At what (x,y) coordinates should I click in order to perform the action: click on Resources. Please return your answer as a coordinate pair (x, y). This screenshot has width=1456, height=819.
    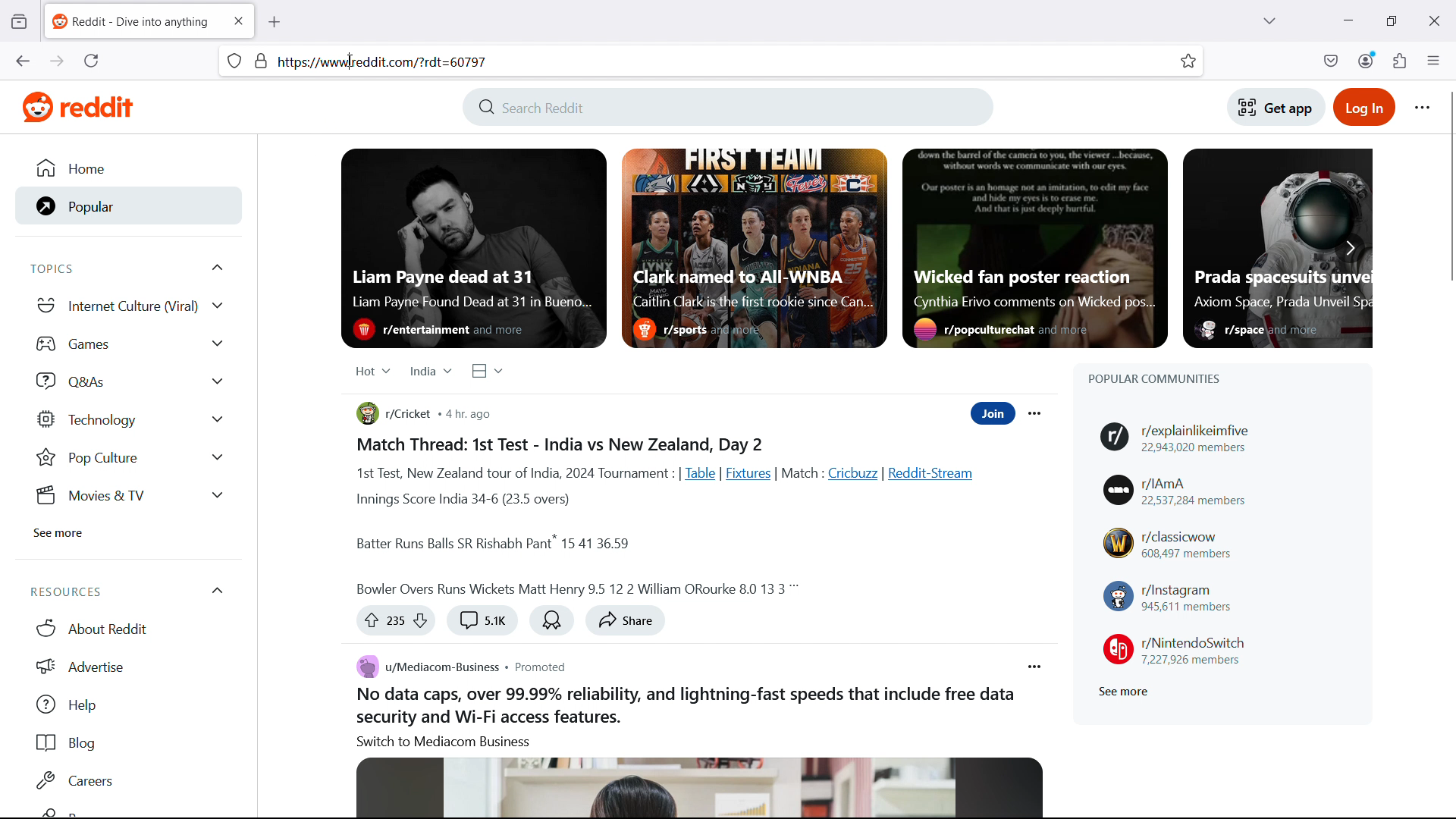
    Looking at the image, I should click on (124, 591).